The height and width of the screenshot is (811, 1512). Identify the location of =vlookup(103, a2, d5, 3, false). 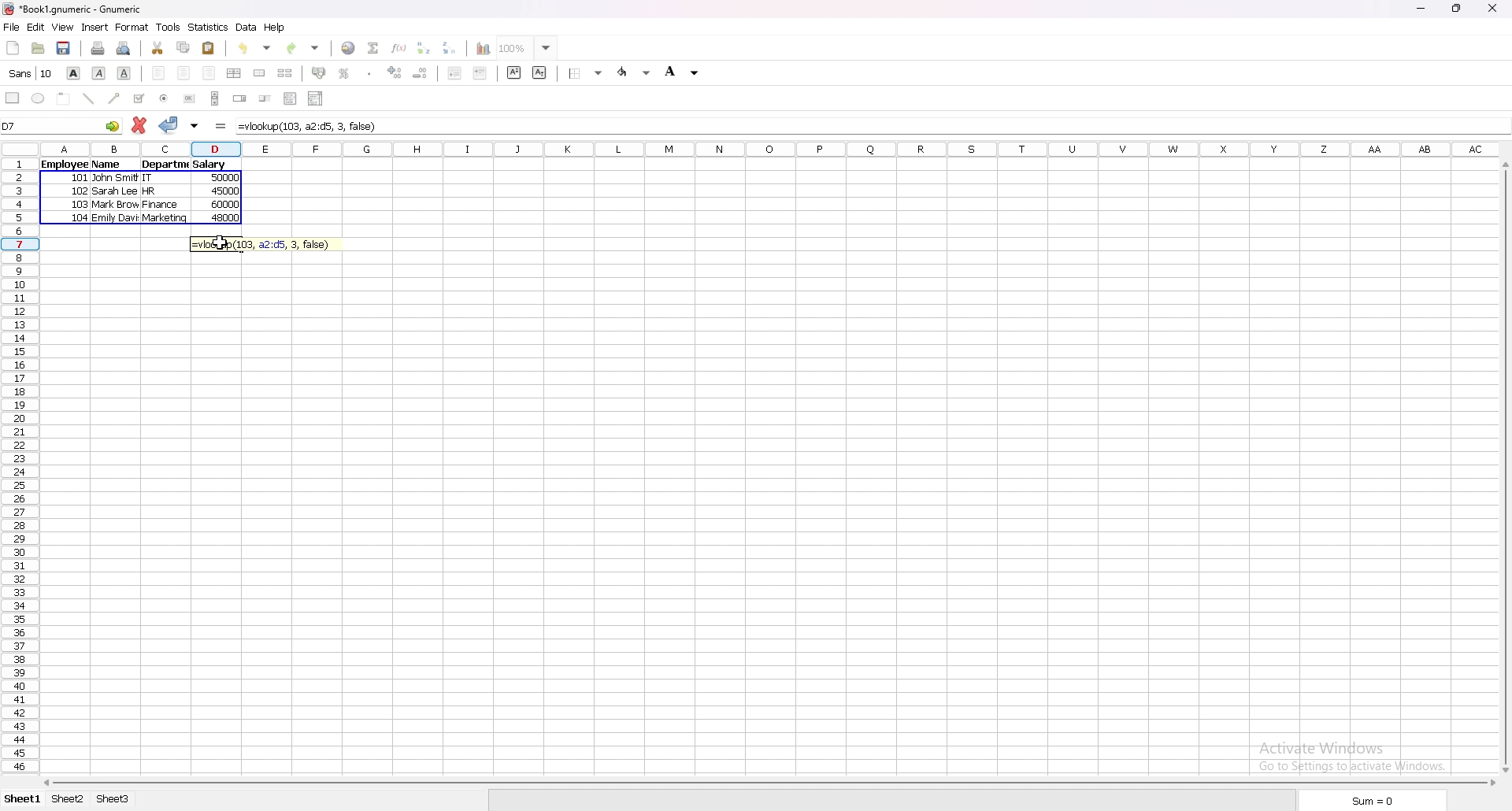
(871, 126).